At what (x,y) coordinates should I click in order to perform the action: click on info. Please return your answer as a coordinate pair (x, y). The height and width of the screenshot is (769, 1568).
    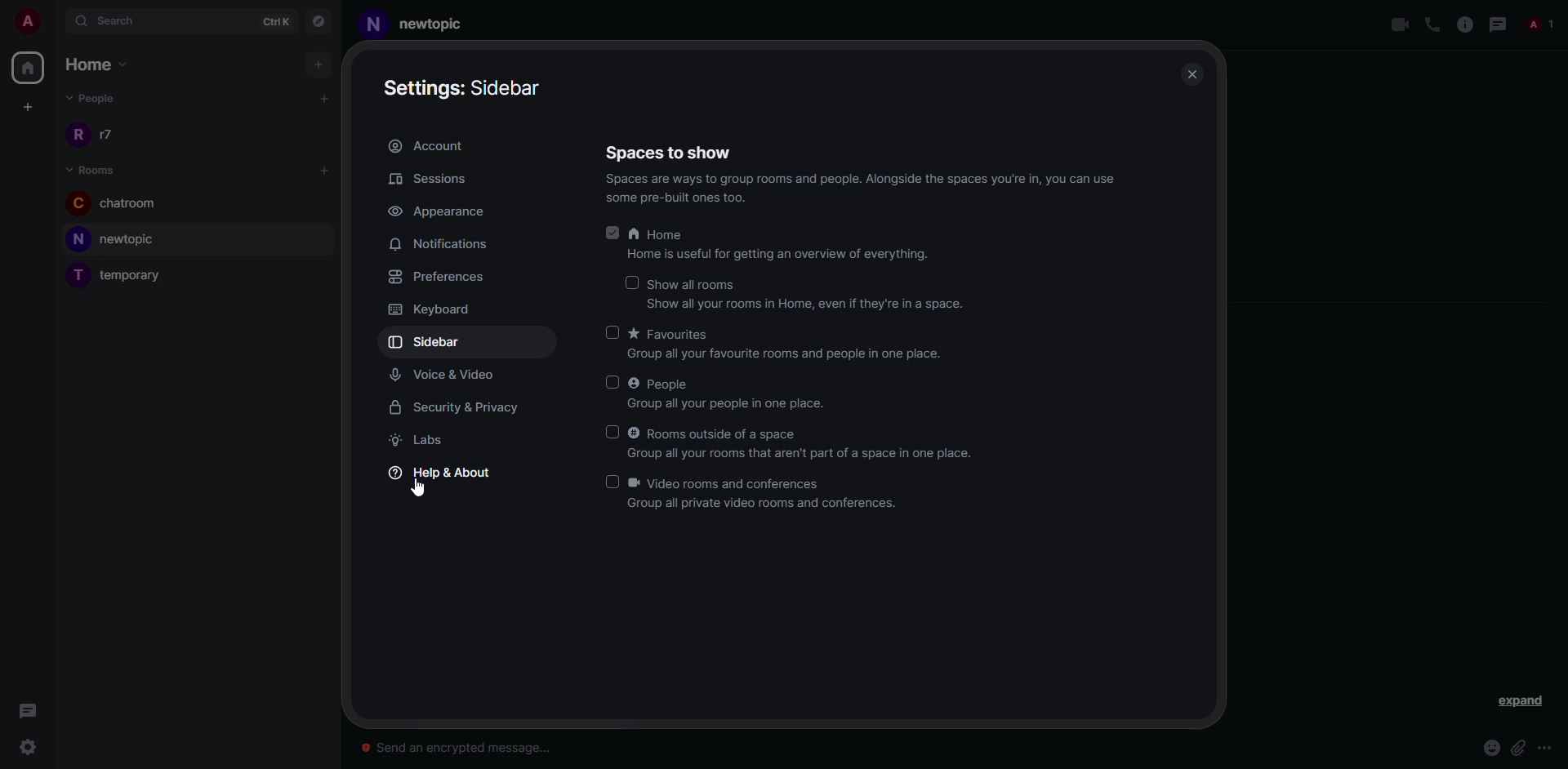
    Looking at the image, I should click on (810, 455).